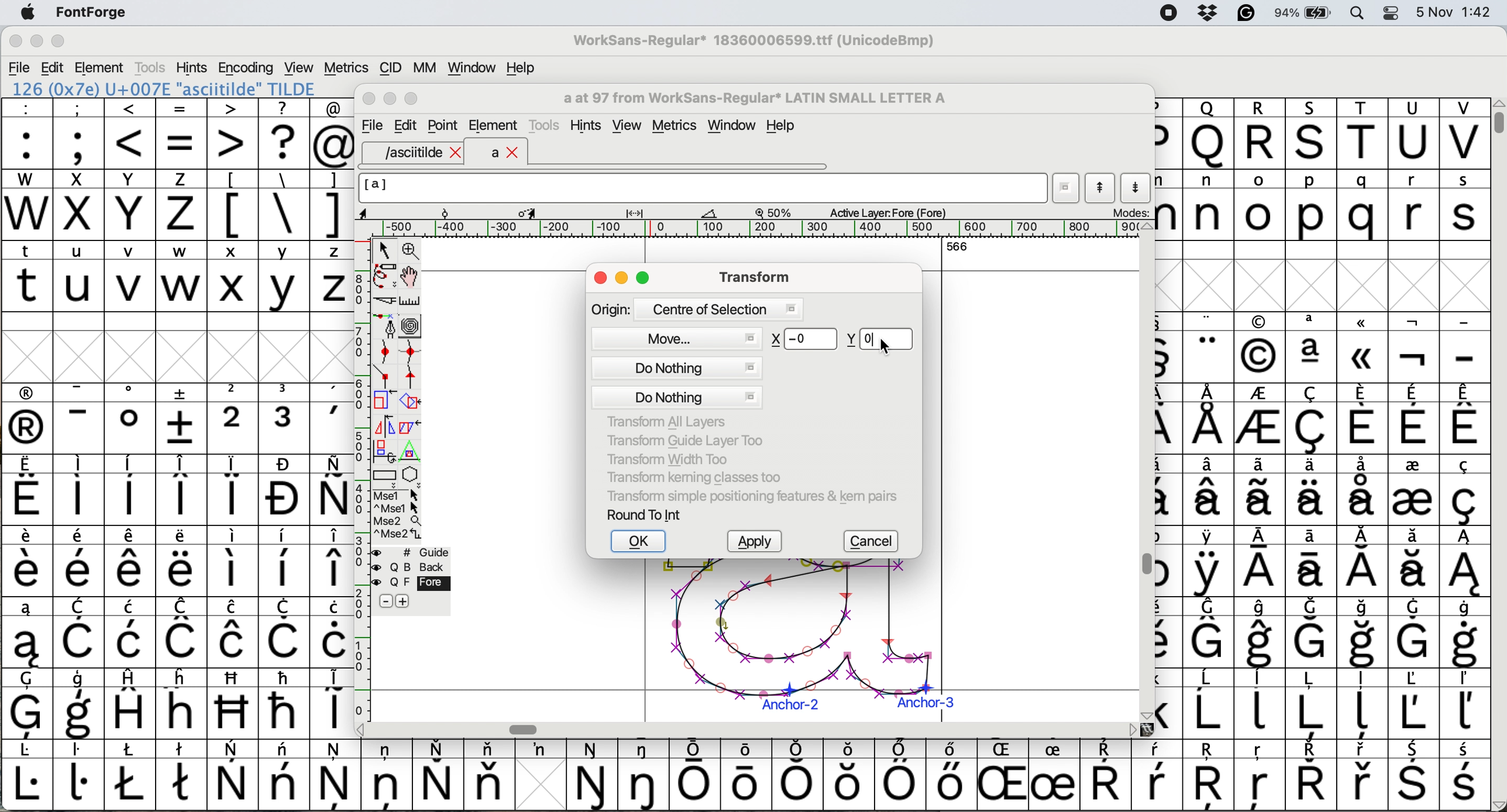 Image resolution: width=1507 pixels, height=812 pixels. What do you see at coordinates (424, 567) in the screenshot?
I see `Background` at bounding box center [424, 567].